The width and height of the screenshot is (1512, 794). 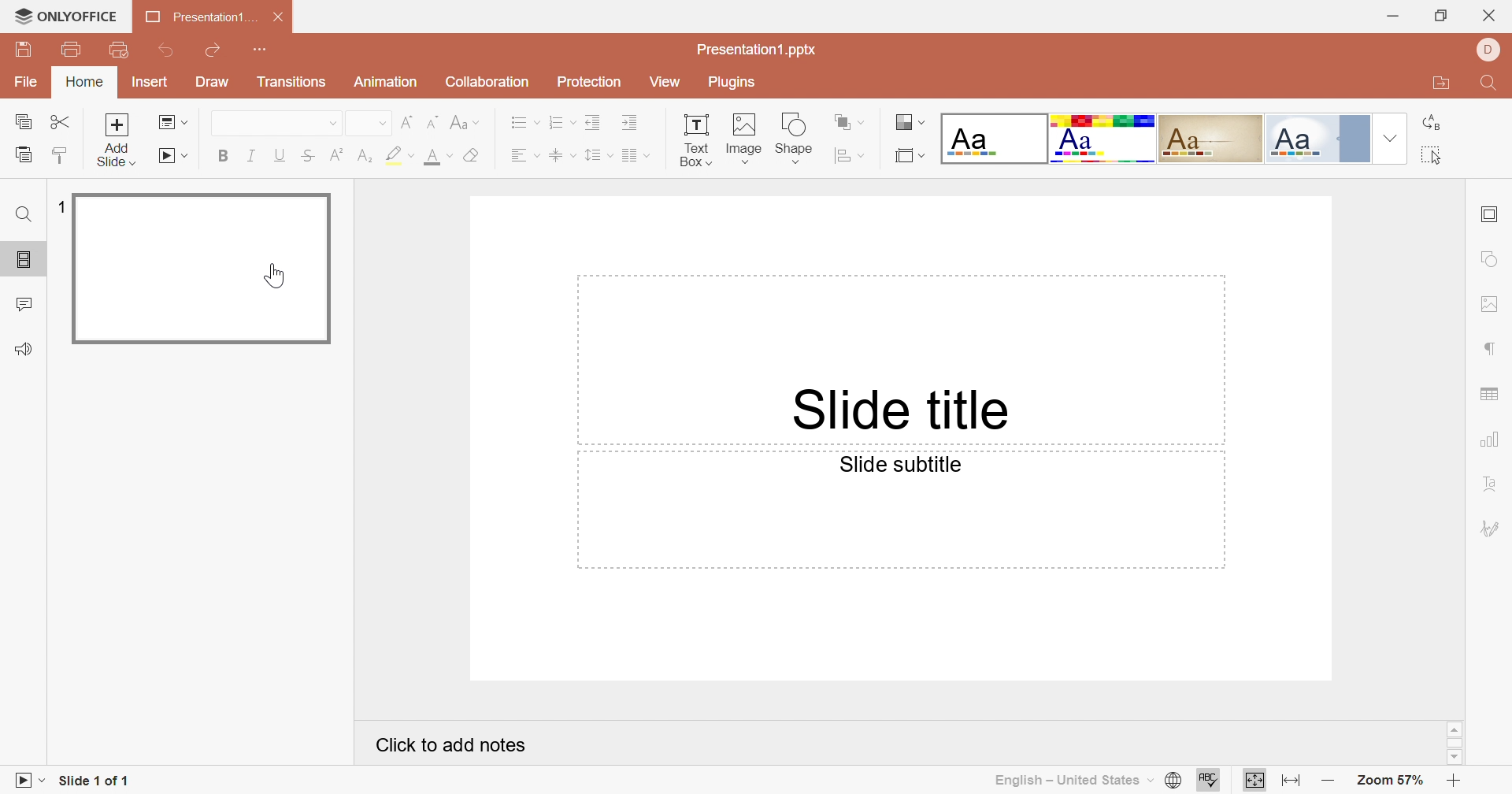 What do you see at coordinates (453, 744) in the screenshot?
I see `Click to Add notes` at bounding box center [453, 744].